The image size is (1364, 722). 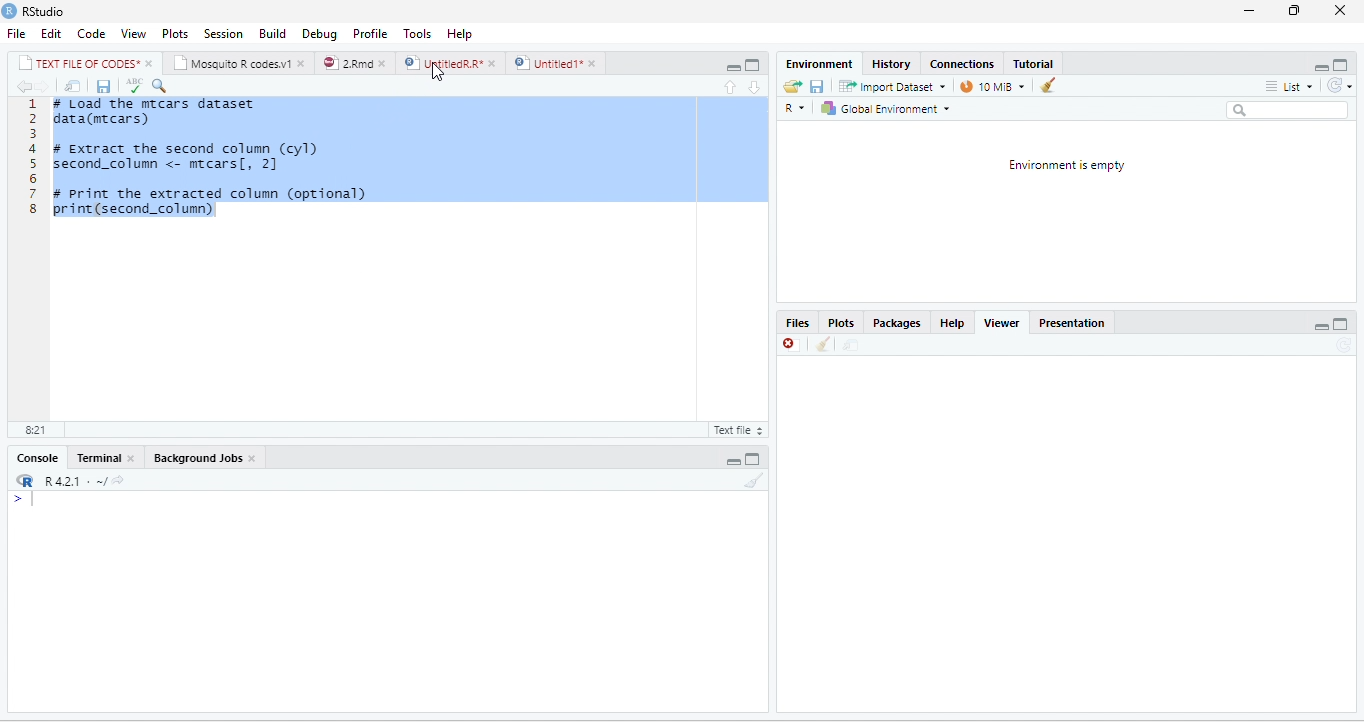 What do you see at coordinates (33, 119) in the screenshot?
I see `2` at bounding box center [33, 119].